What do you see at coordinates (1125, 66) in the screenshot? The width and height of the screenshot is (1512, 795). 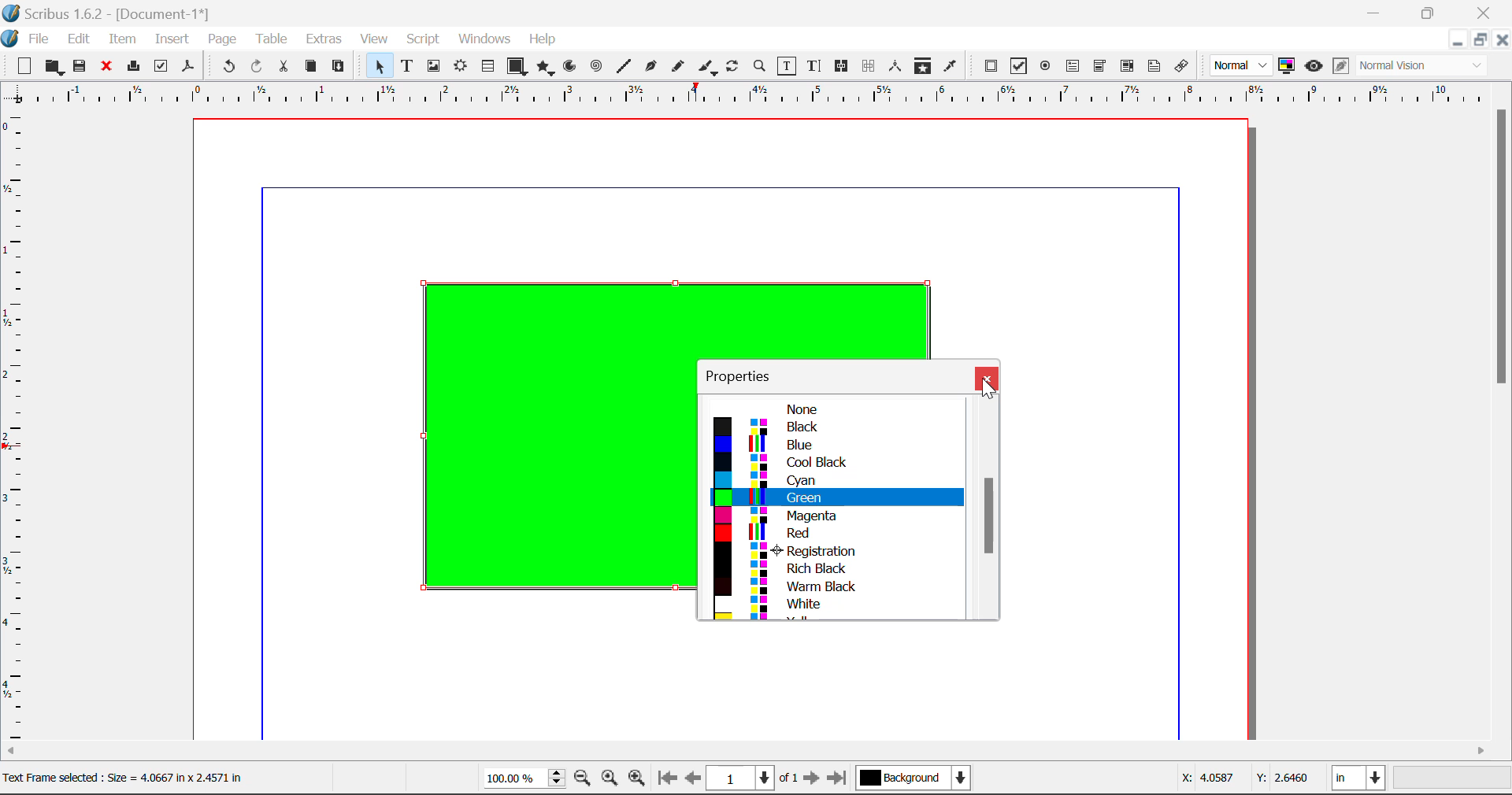 I see `Pdf Listbox` at bounding box center [1125, 66].